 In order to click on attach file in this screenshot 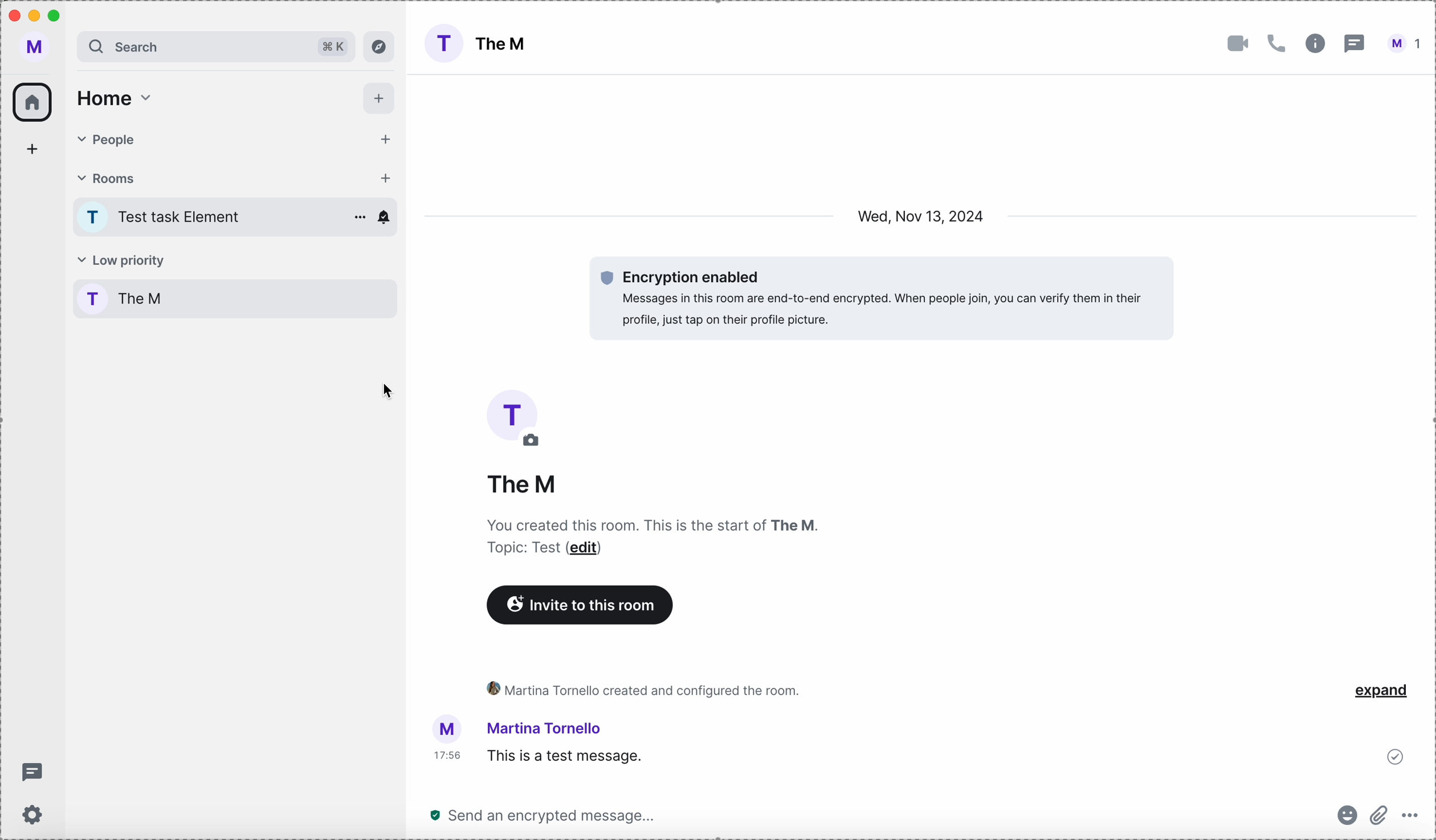, I will do `click(1381, 816)`.